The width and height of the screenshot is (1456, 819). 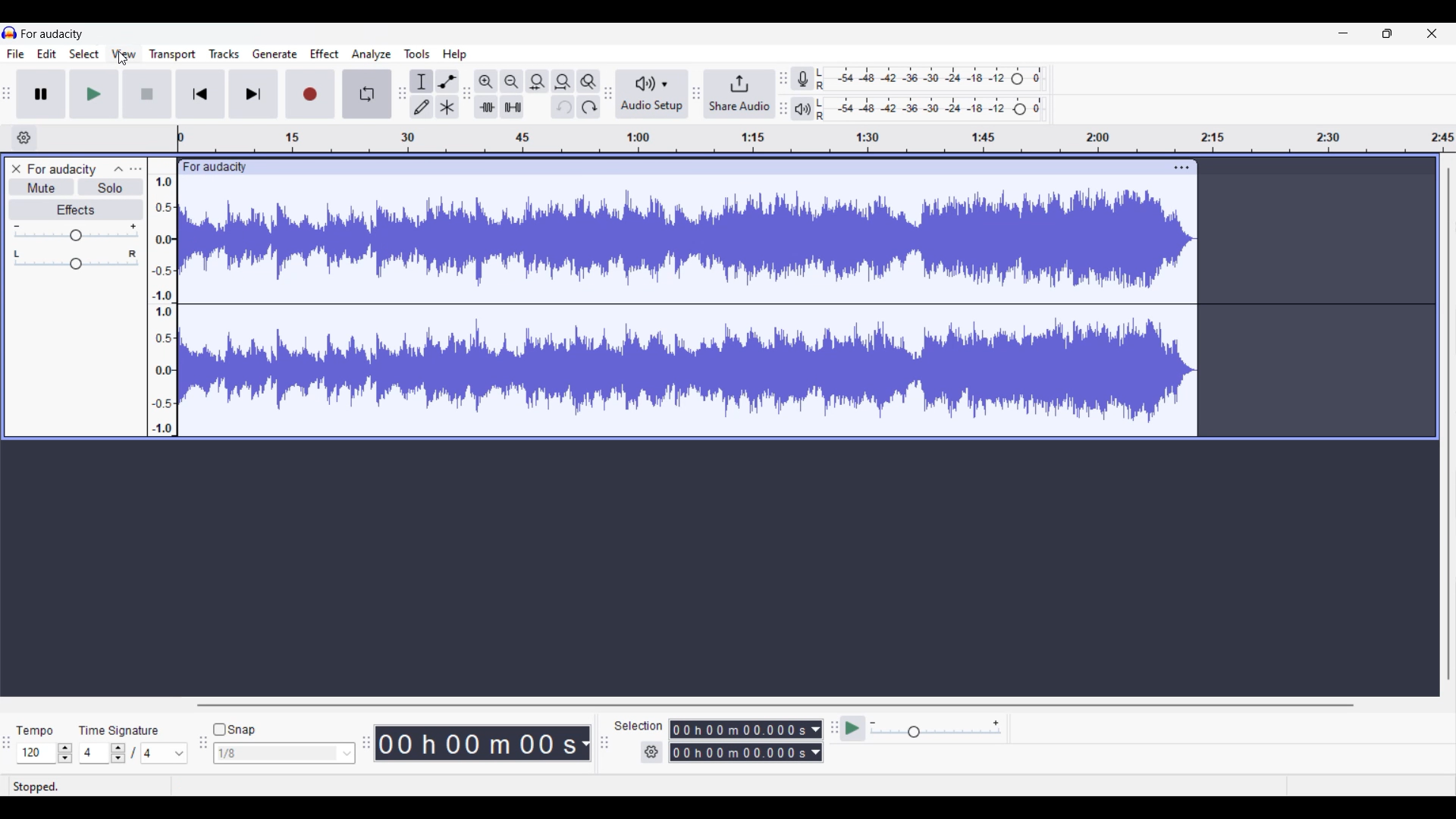 What do you see at coordinates (120, 731) in the screenshot?
I see `time signature` at bounding box center [120, 731].